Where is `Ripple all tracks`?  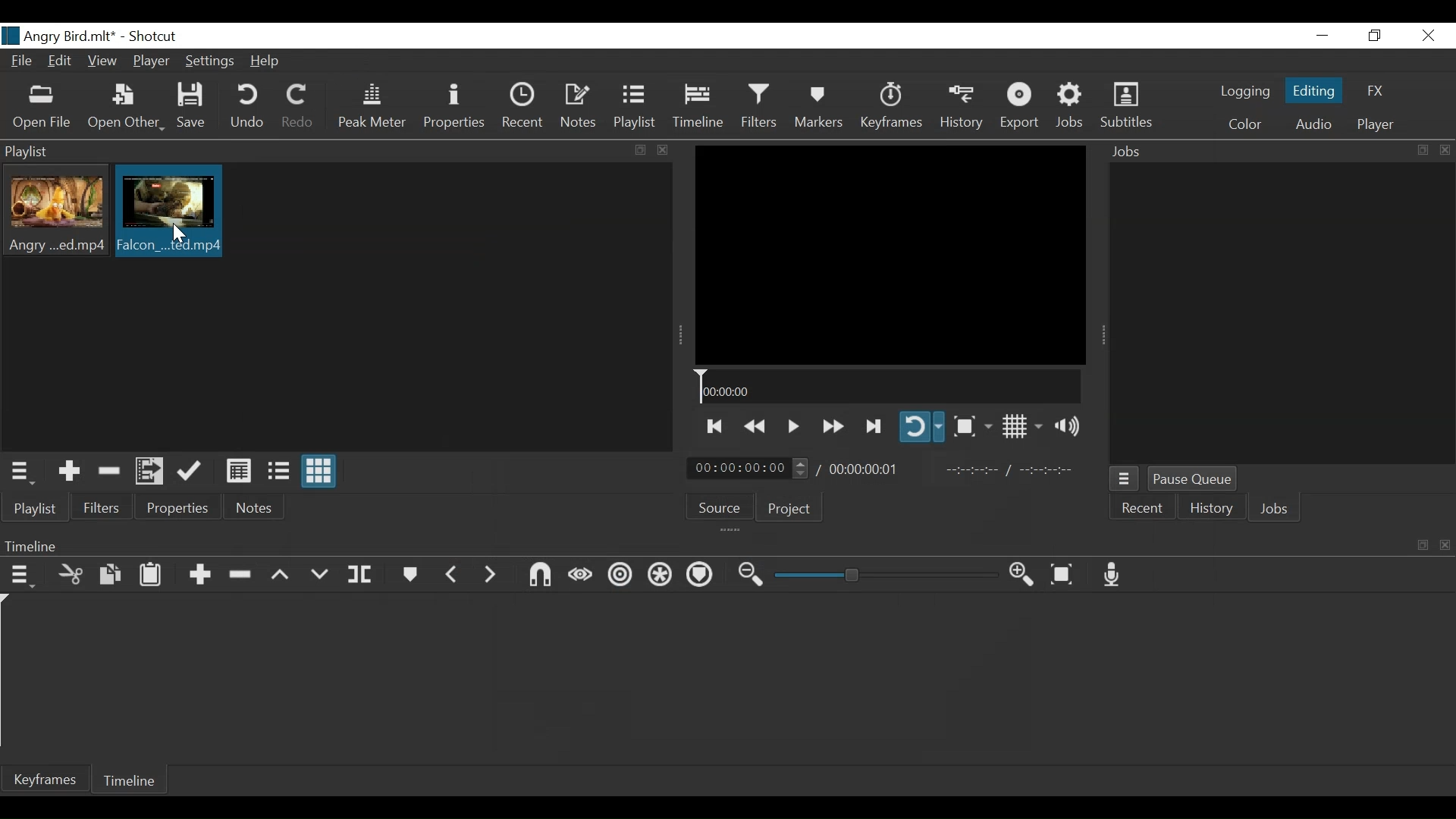
Ripple all tracks is located at coordinates (661, 576).